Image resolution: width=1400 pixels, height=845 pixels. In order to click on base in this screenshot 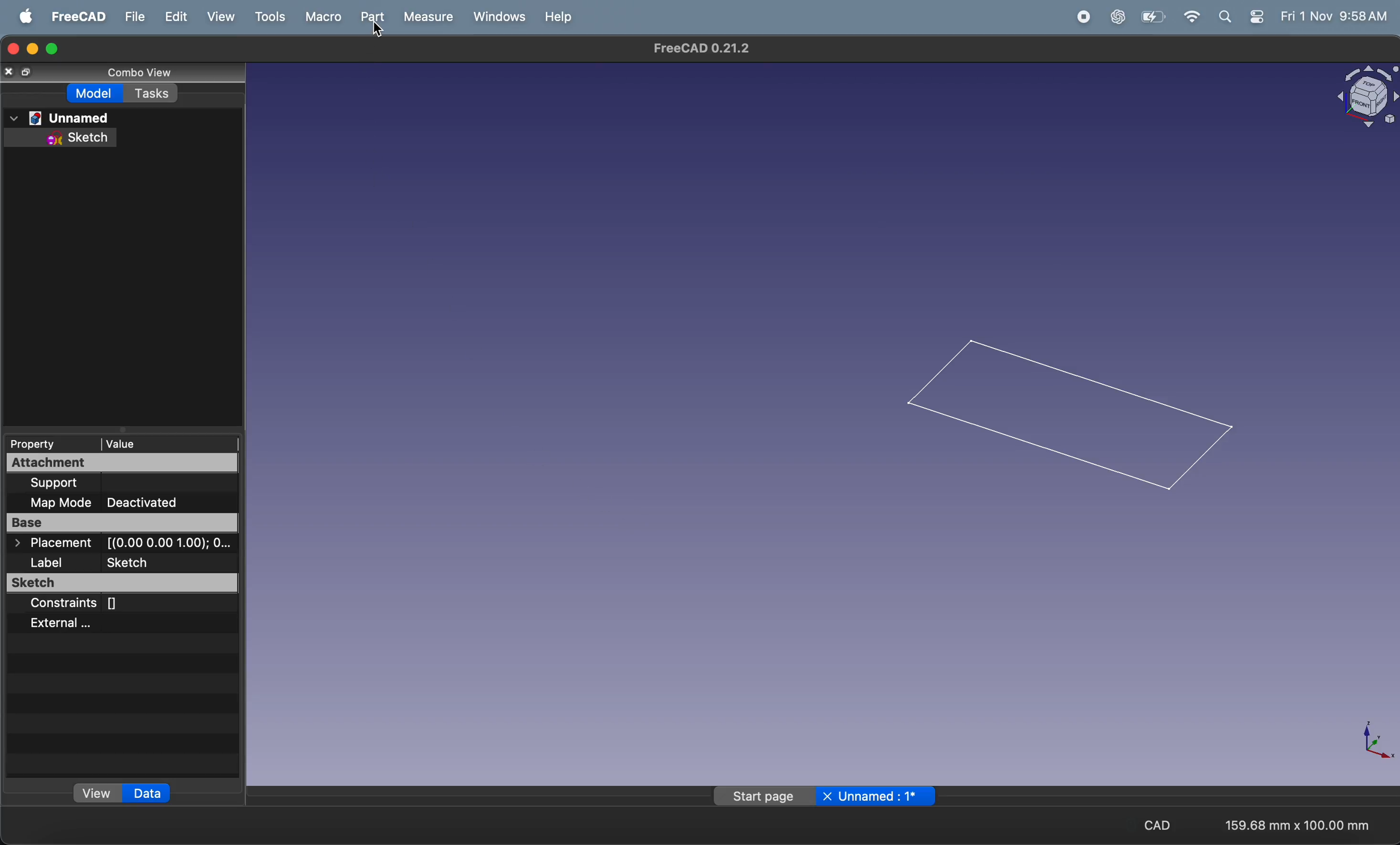, I will do `click(120, 524)`.